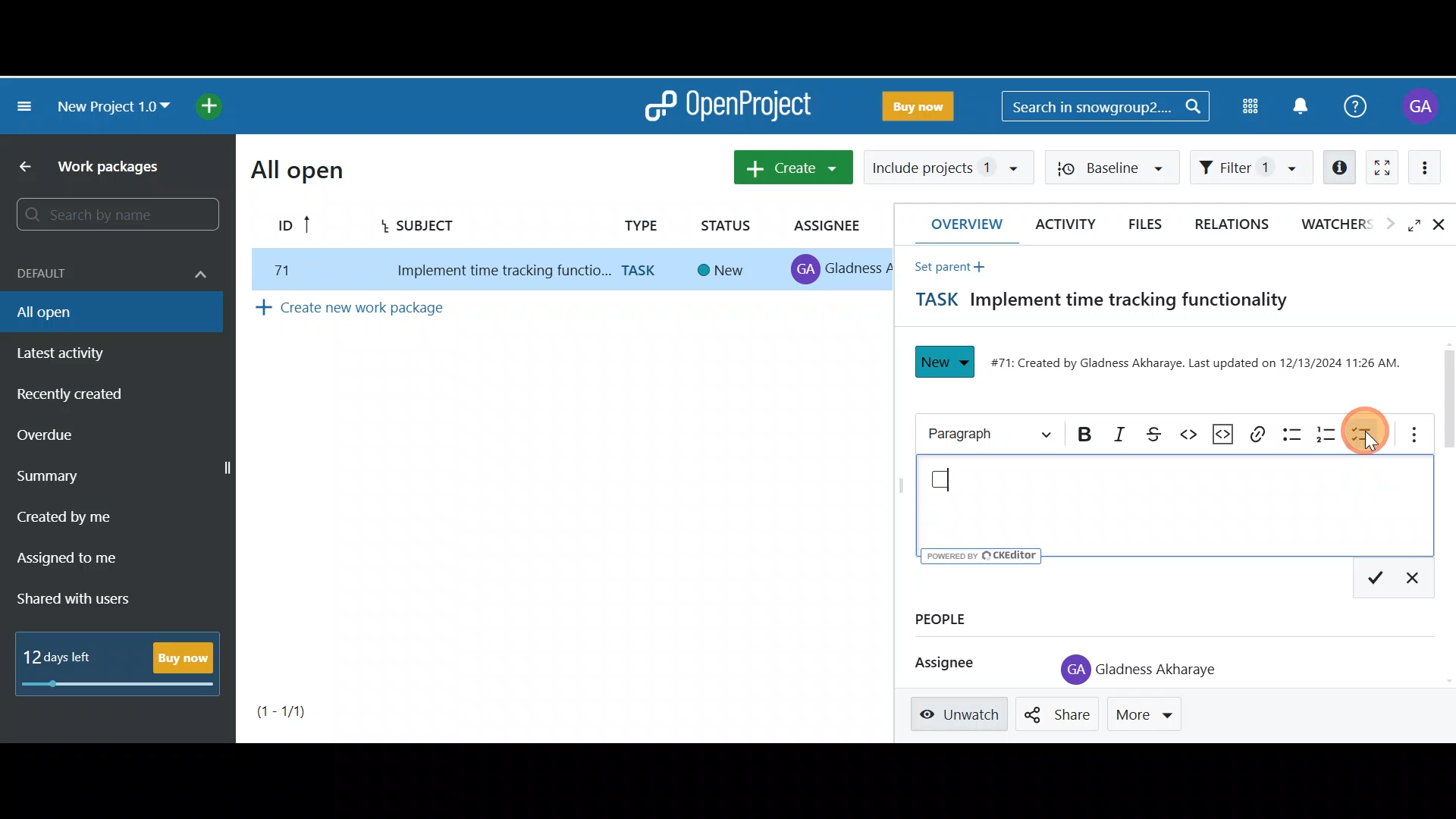 The image size is (1456, 819). I want to click on Code, so click(1193, 435).